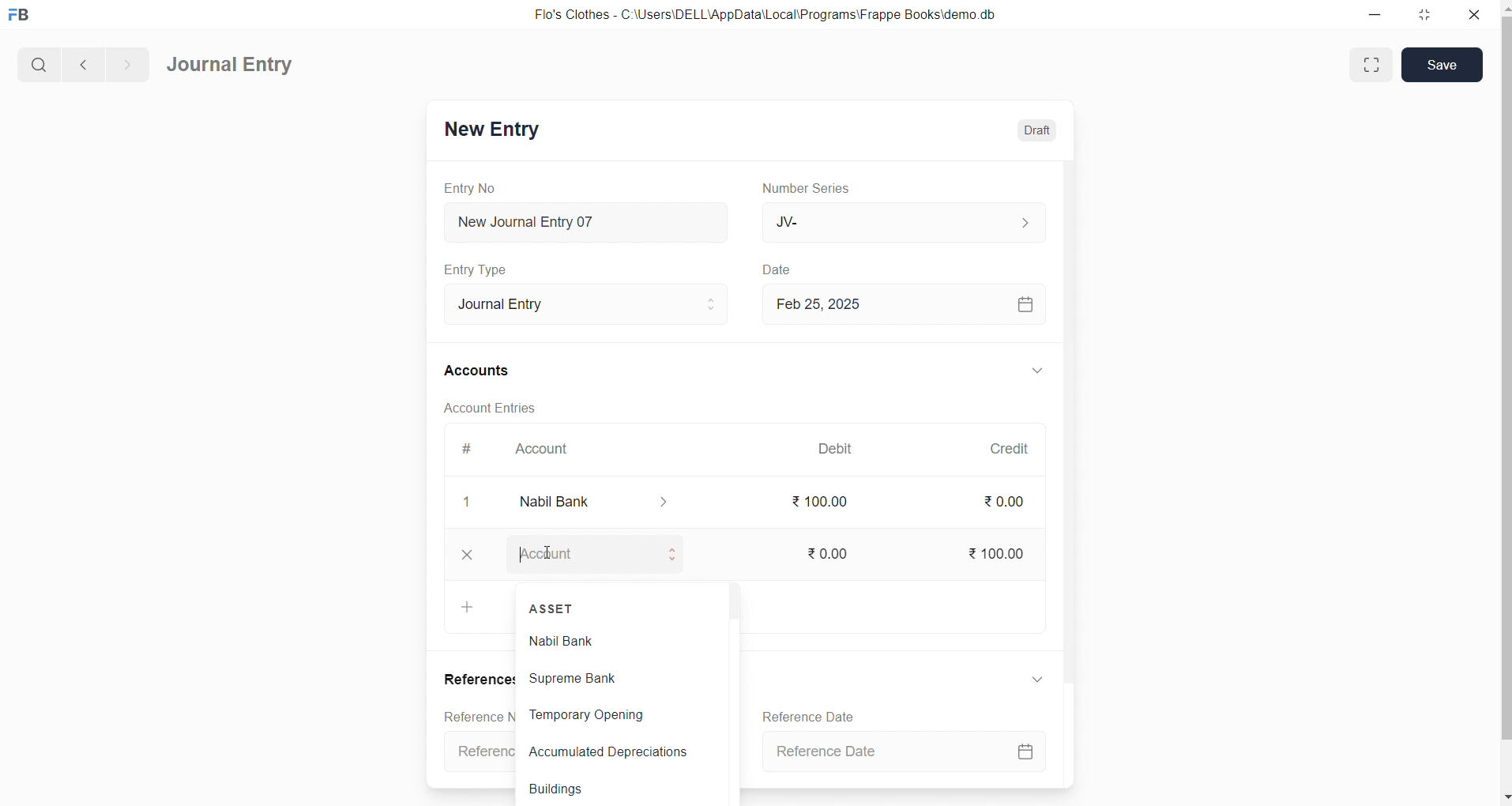  I want to click on New Entry, so click(499, 129).